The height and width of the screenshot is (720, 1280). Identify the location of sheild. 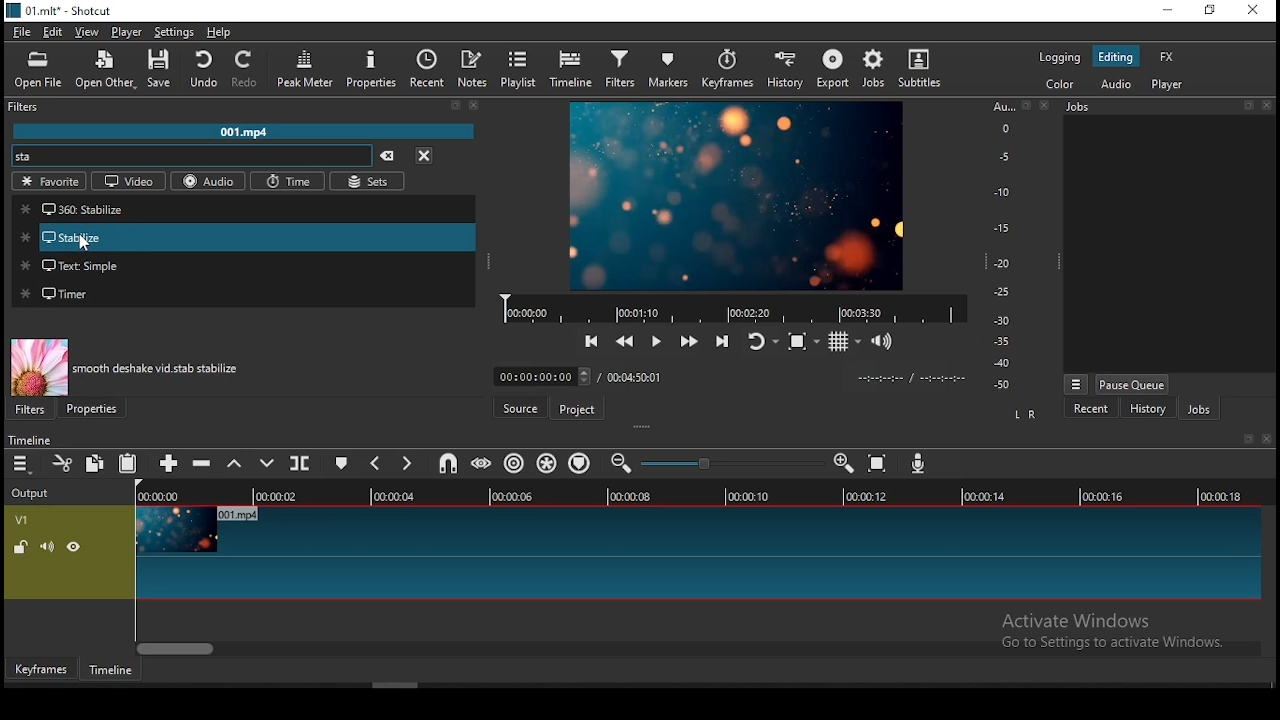
(582, 463).